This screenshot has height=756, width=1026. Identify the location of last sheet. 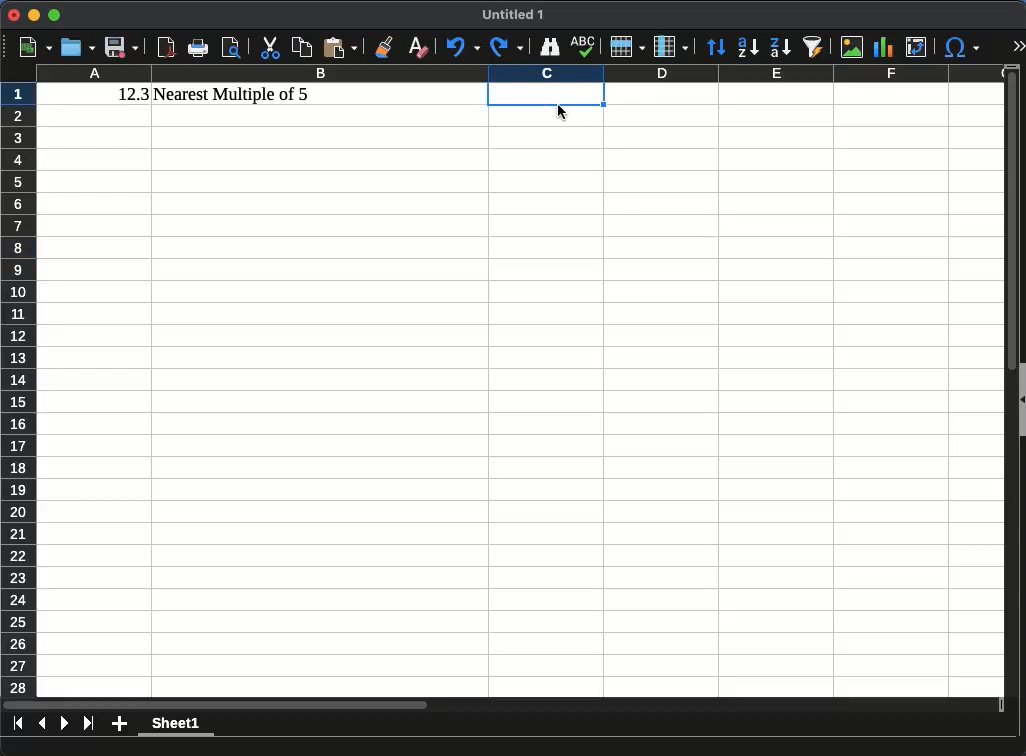
(90, 724).